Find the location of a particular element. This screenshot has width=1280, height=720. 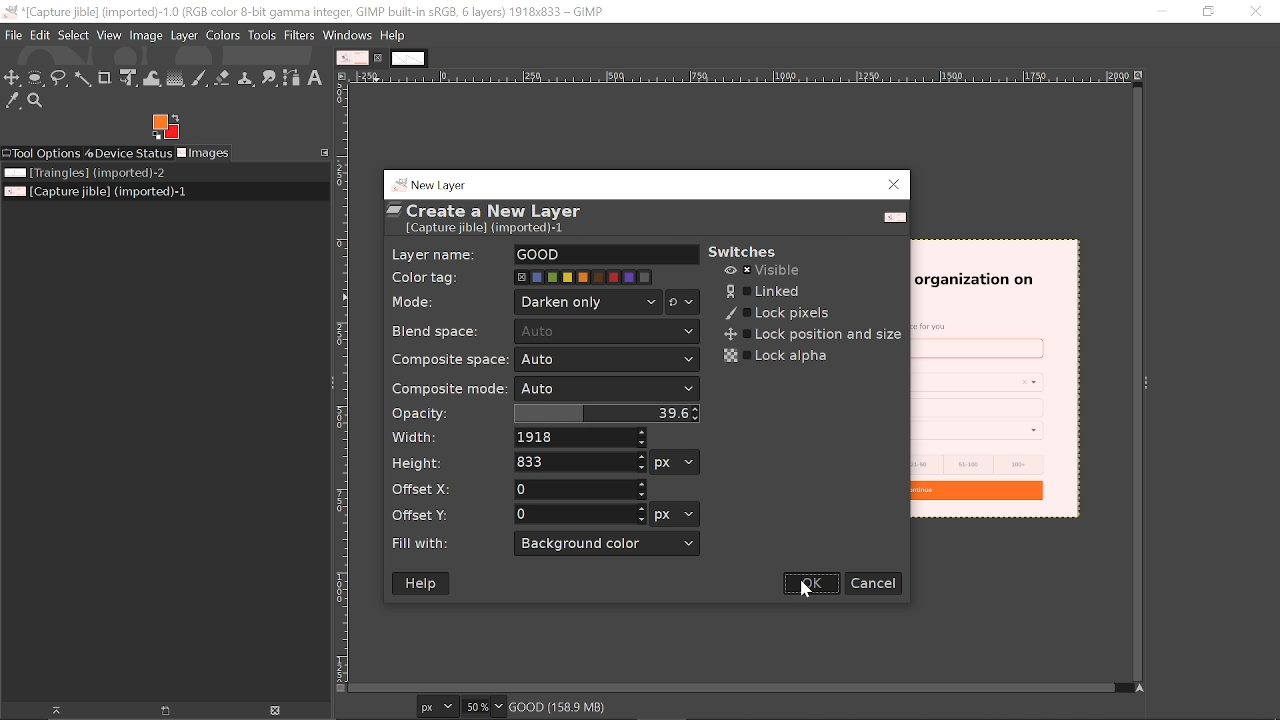

Filters is located at coordinates (300, 35).